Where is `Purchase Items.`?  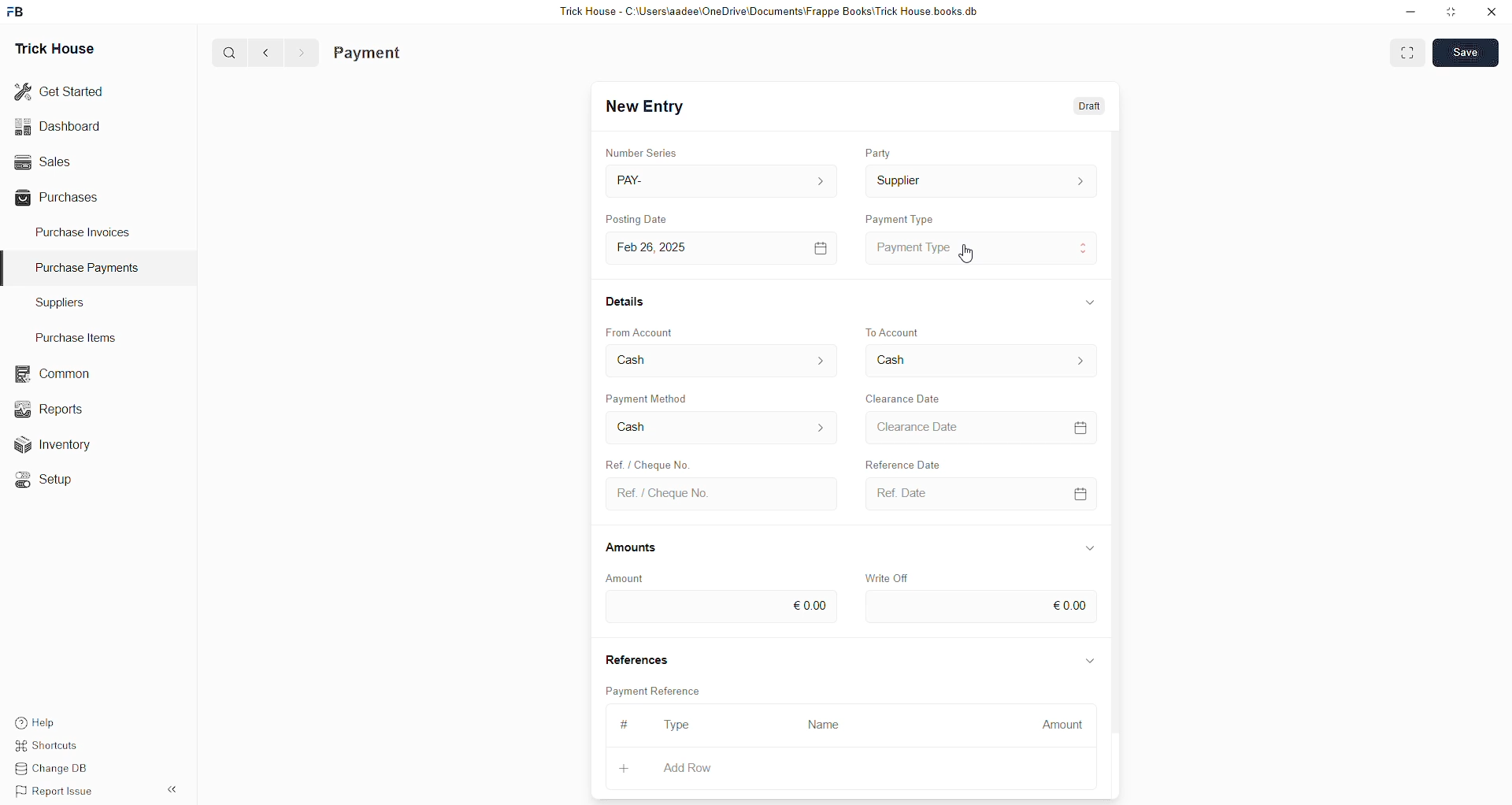
Purchase Items. is located at coordinates (73, 336).